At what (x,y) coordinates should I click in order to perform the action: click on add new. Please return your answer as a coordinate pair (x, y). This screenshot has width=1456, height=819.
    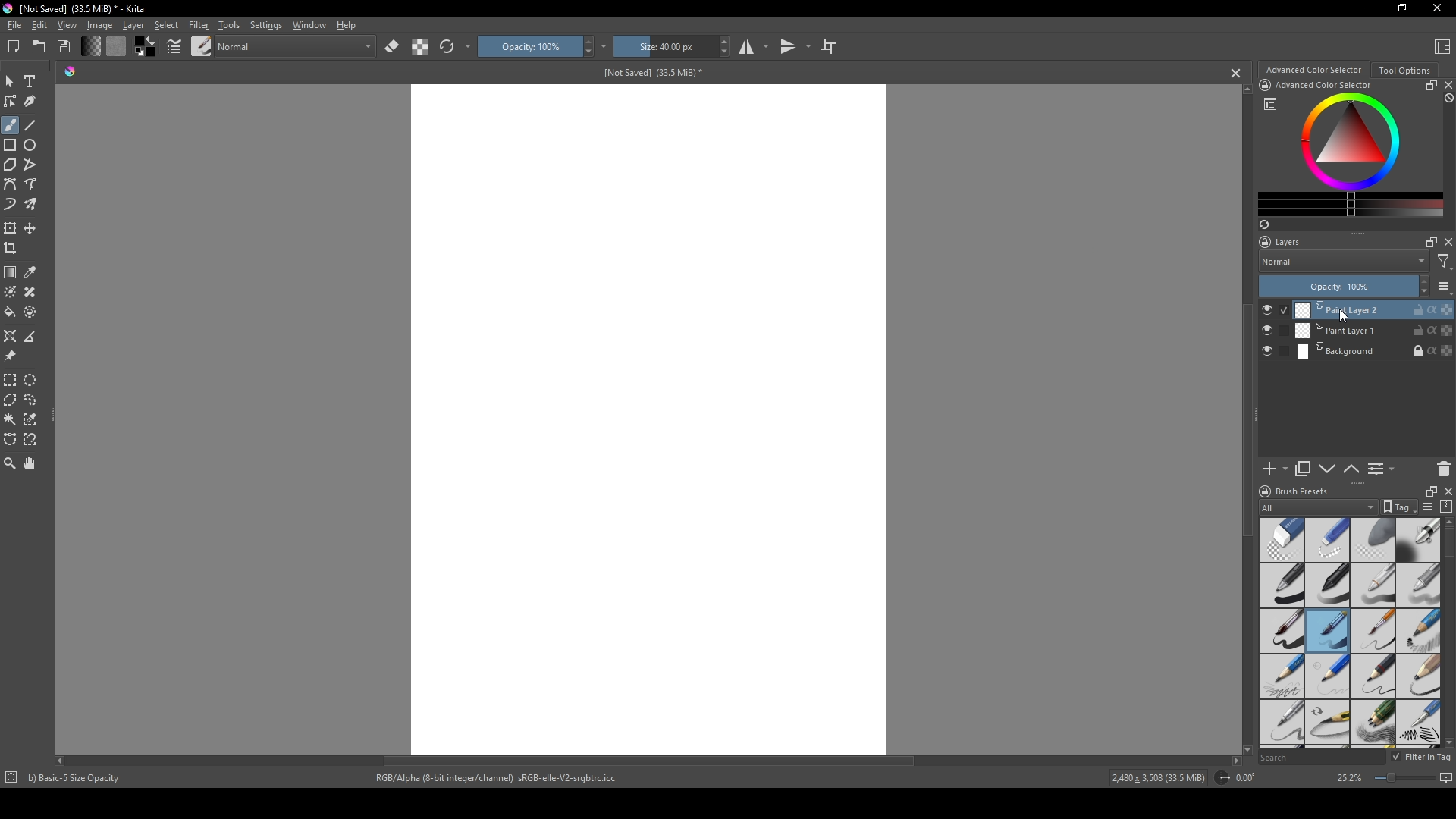
    Looking at the image, I should click on (1274, 469).